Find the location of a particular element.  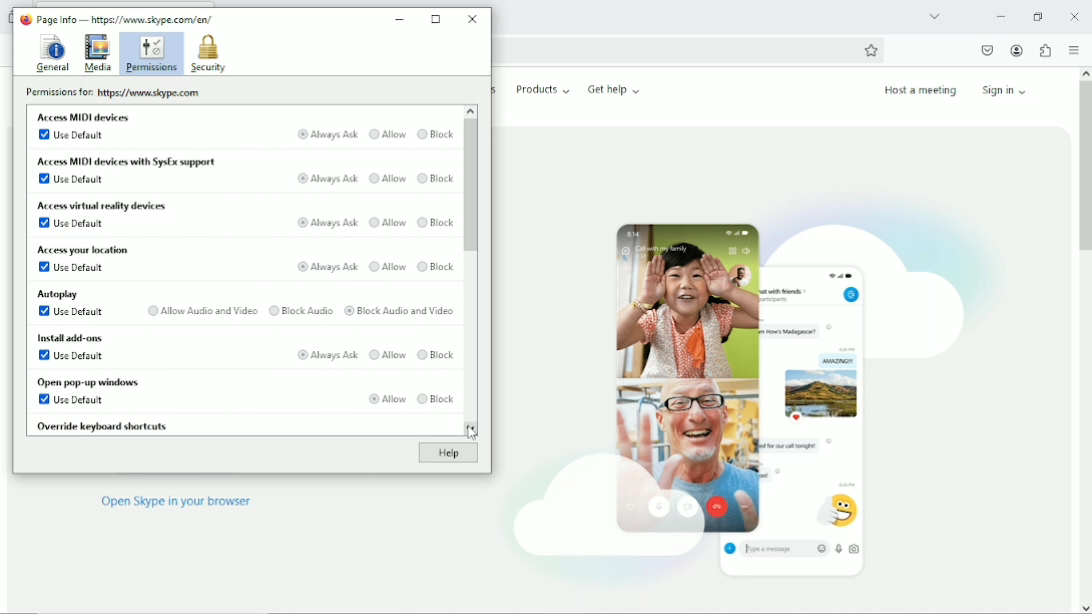

cursor is located at coordinates (470, 429).